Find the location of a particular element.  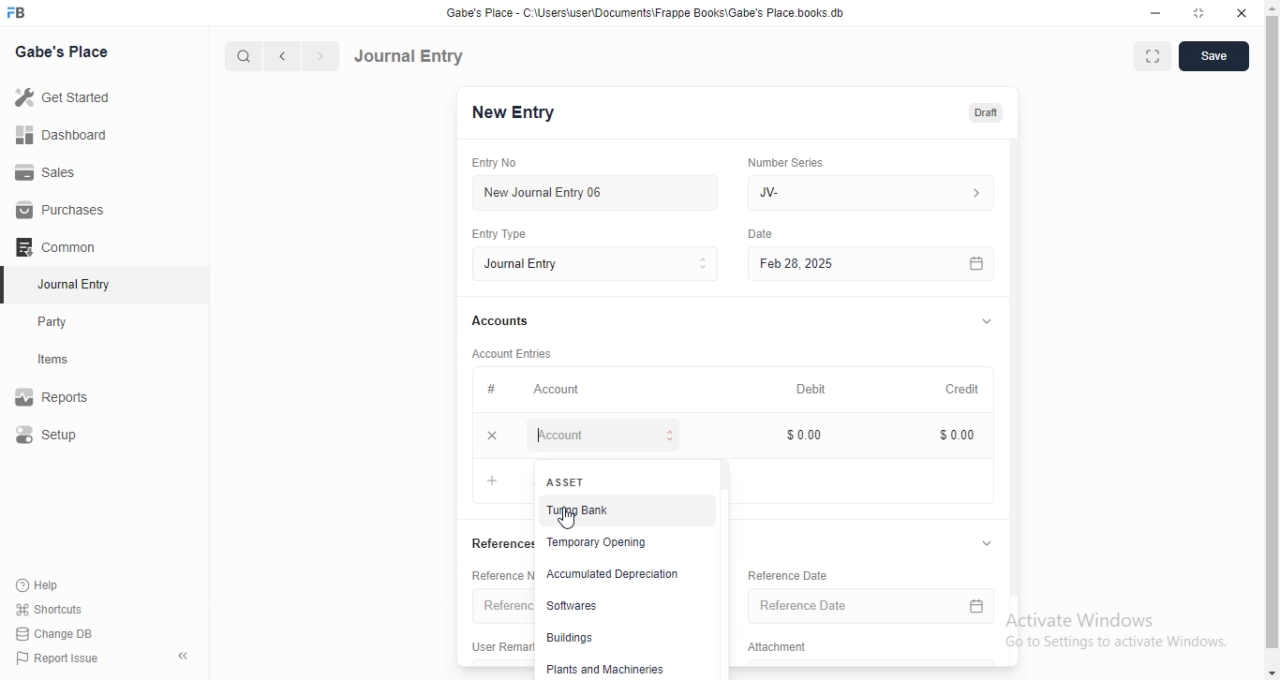

Account is located at coordinates (549, 391).